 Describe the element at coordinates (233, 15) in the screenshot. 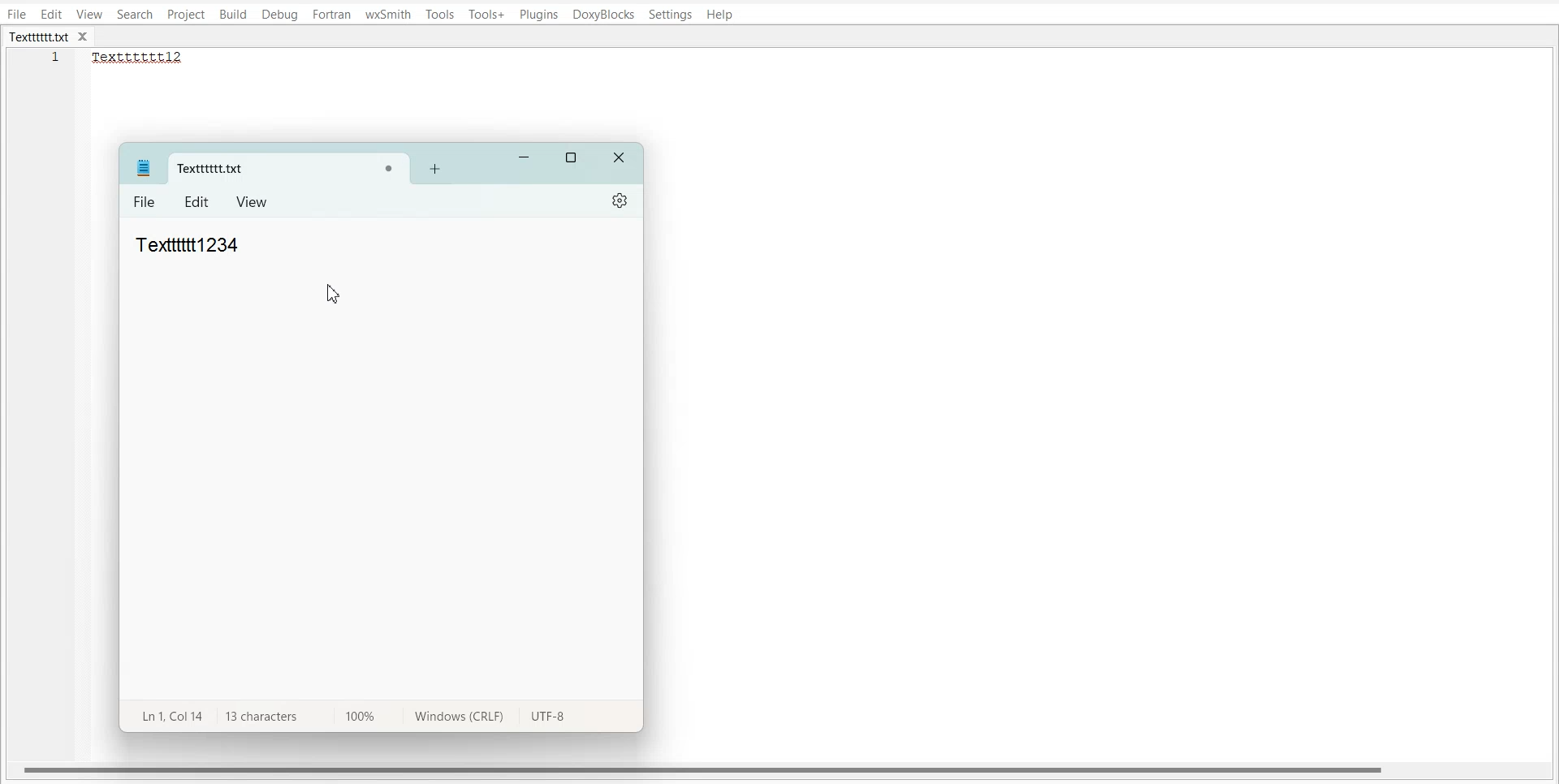

I see `Build` at that location.